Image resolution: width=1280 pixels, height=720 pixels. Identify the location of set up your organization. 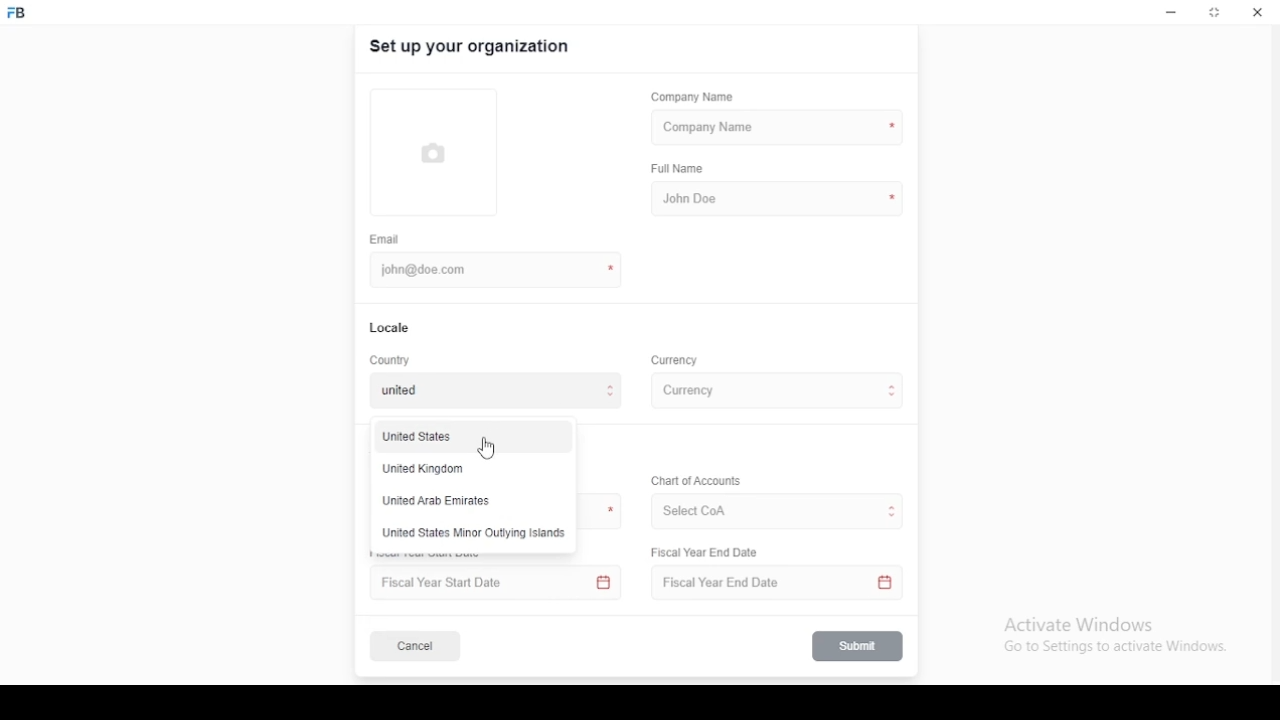
(471, 47).